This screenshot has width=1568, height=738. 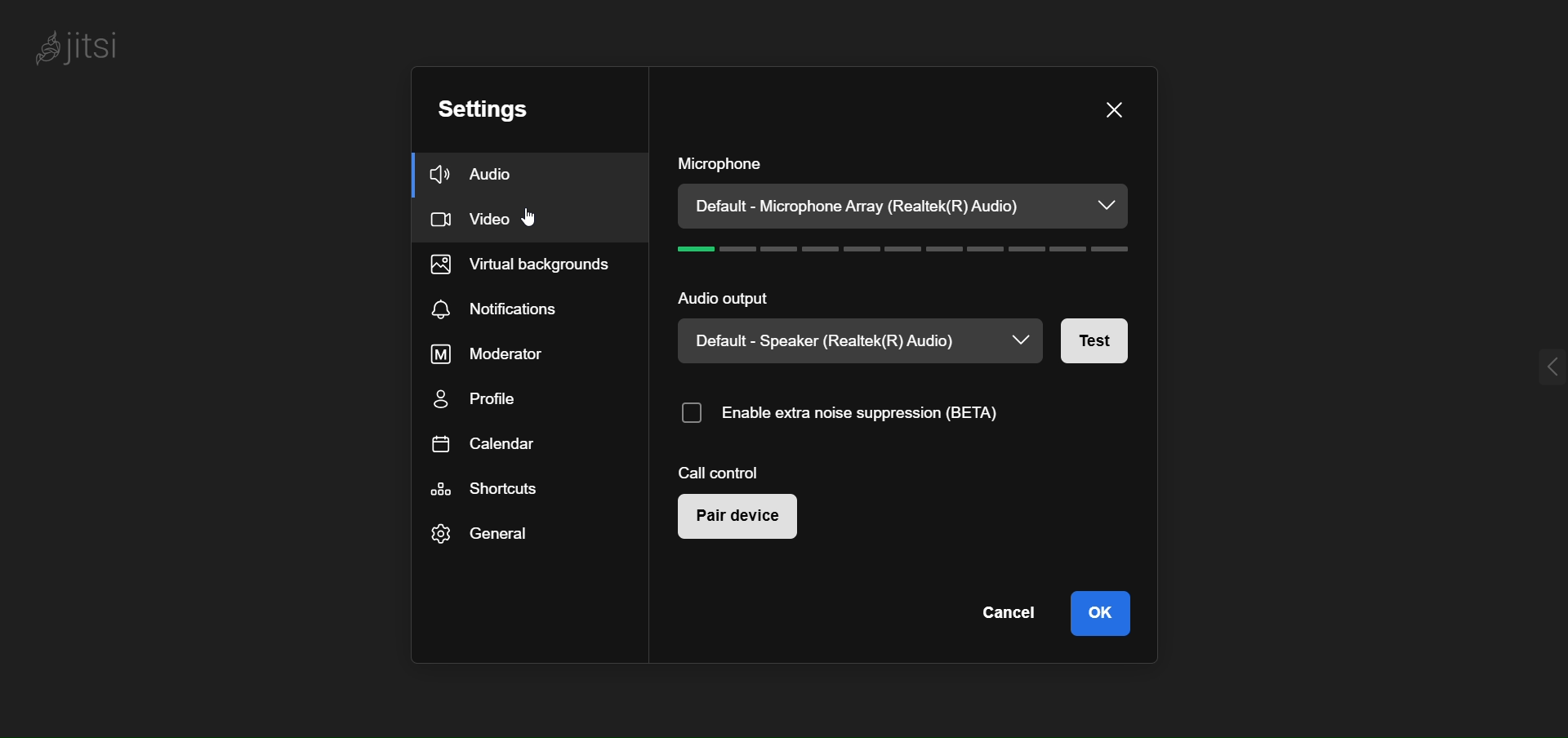 What do you see at coordinates (1013, 609) in the screenshot?
I see `cancel` at bounding box center [1013, 609].